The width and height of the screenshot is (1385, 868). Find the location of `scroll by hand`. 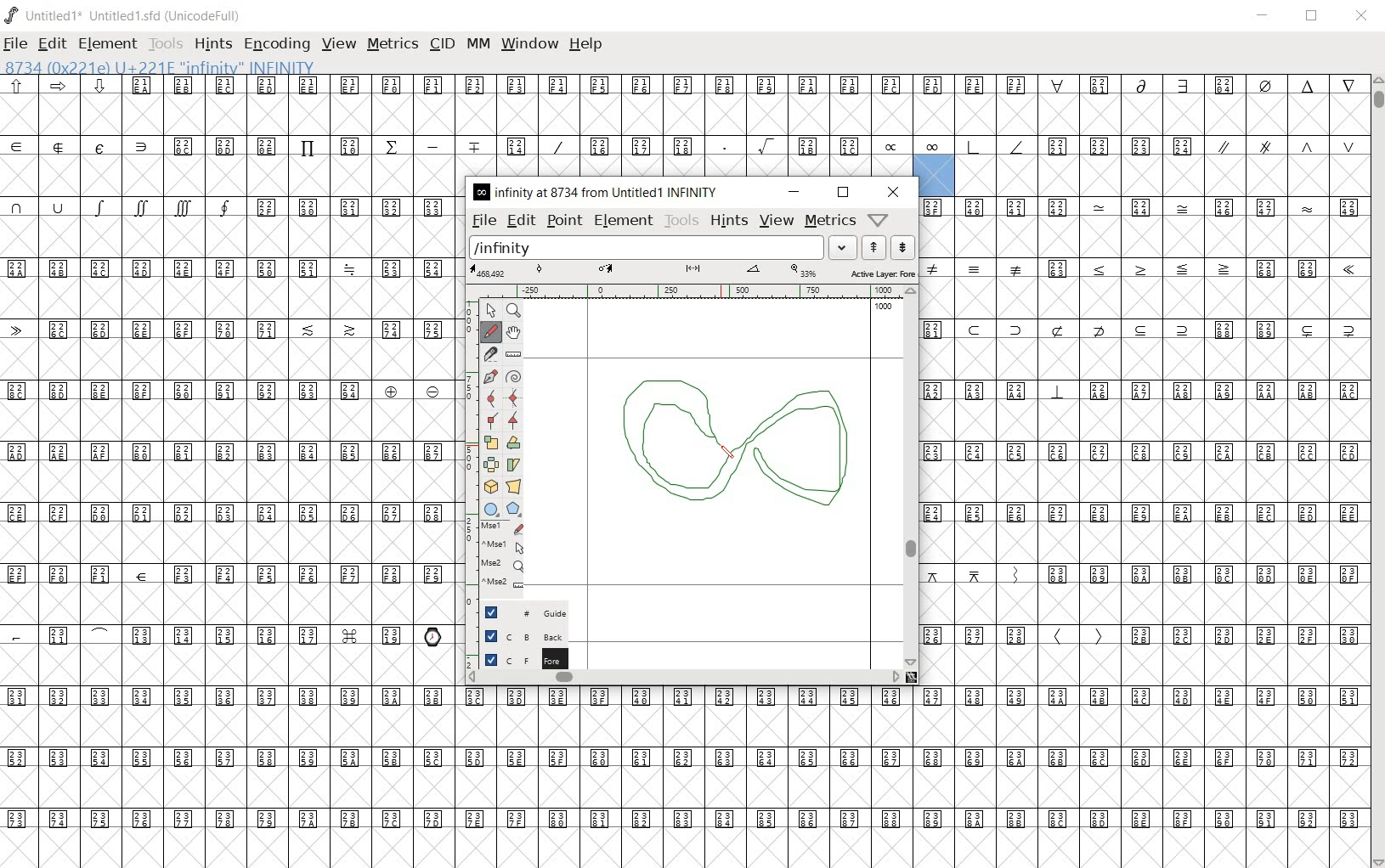

scroll by hand is located at coordinates (515, 331).